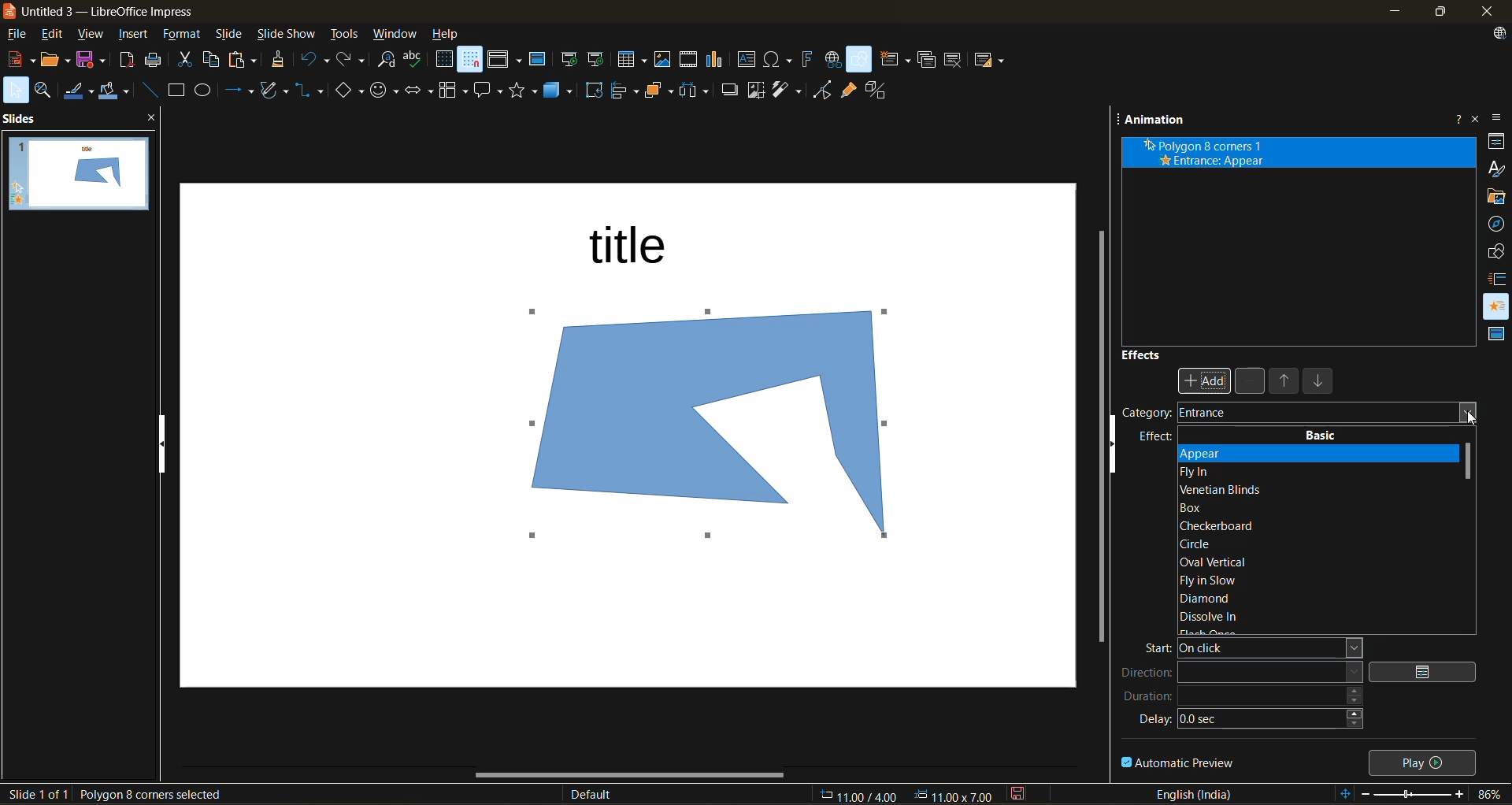 Image resolution: width=1512 pixels, height=805 pixels. I want to click on align objects, so click(623, 91).